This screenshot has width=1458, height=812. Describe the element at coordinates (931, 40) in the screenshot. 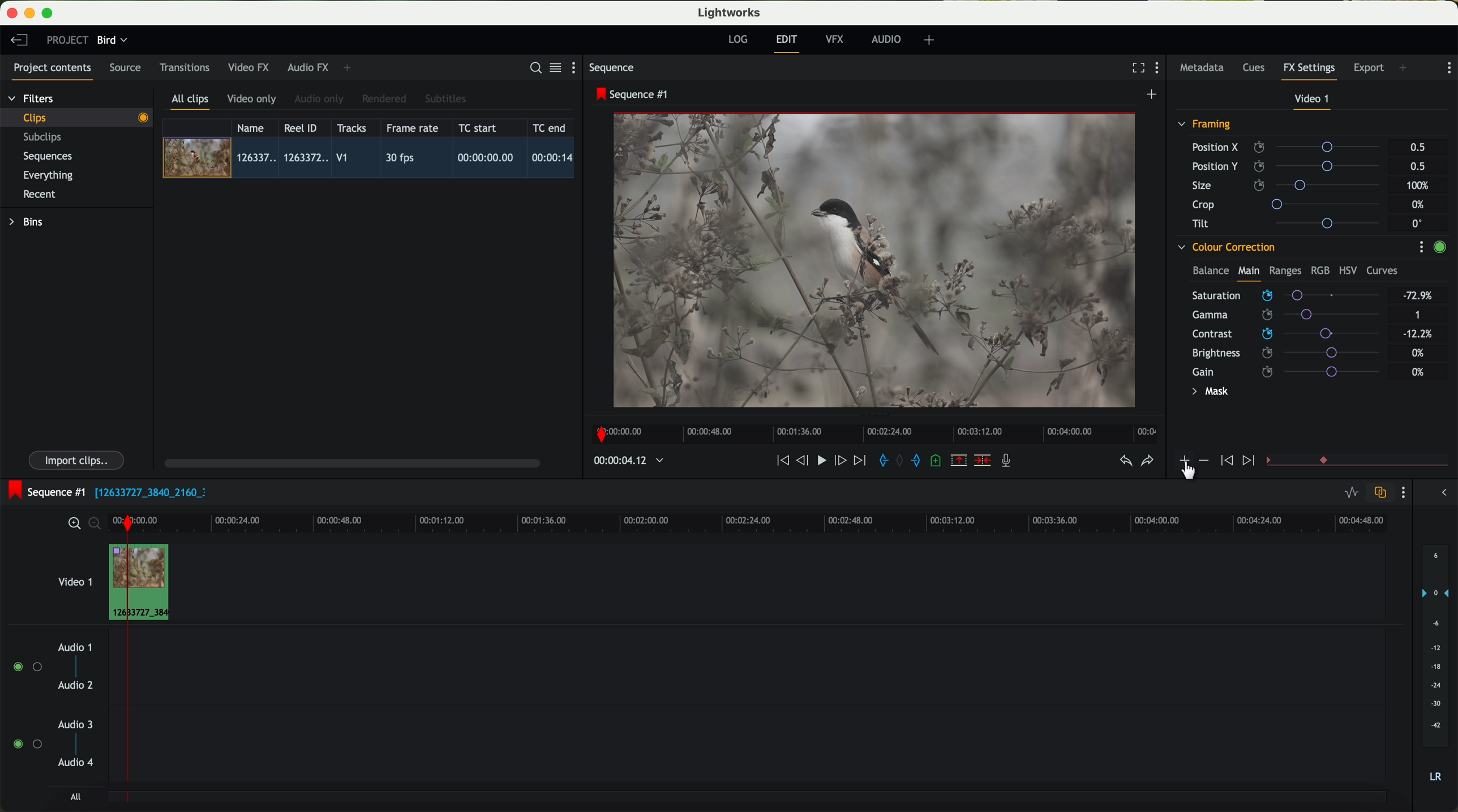

I see `add, remove and create layouts` at that location.